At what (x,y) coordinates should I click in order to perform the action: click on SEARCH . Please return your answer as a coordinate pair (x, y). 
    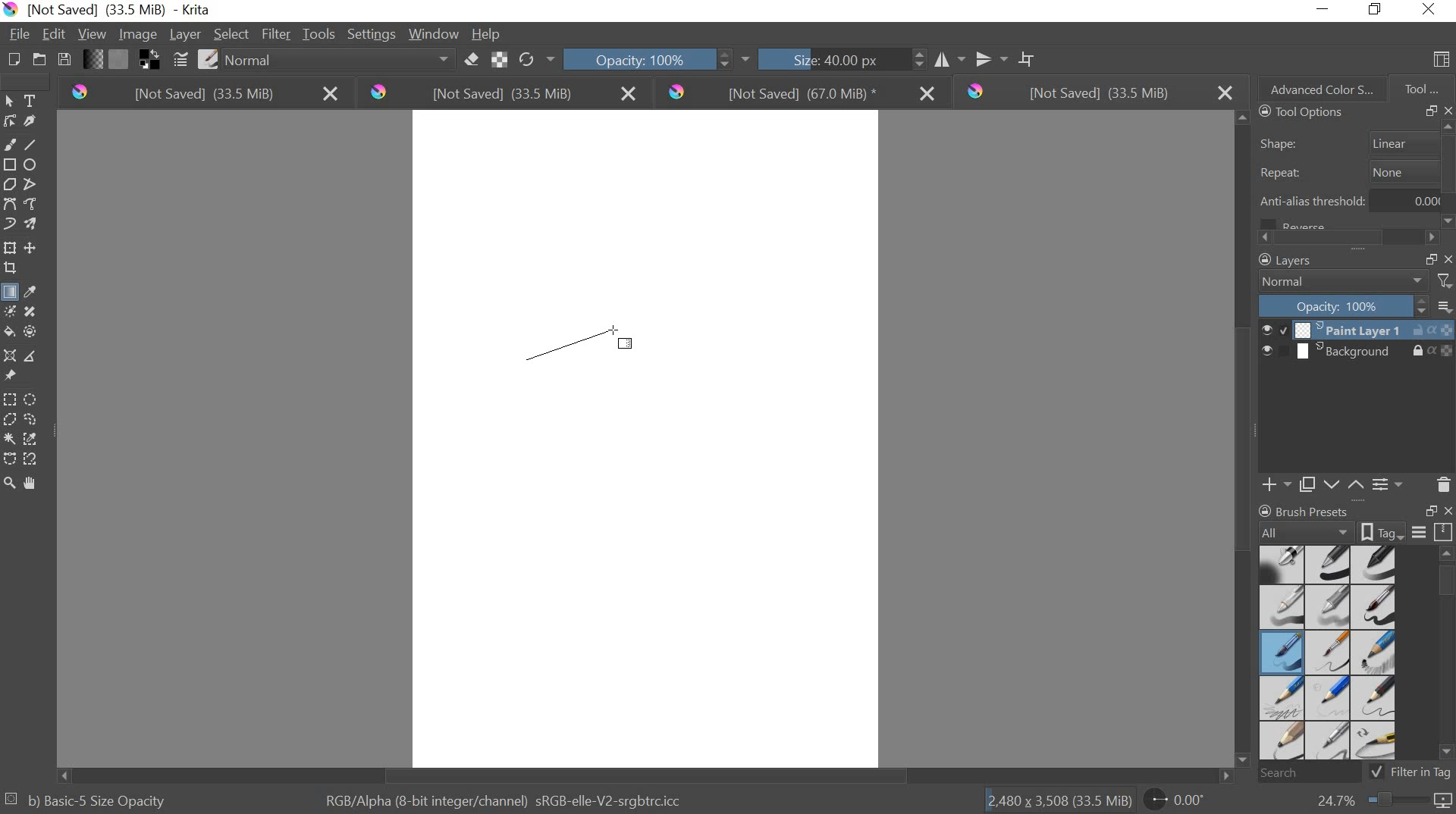
    Looking at the image, I should click on (1315, 773).